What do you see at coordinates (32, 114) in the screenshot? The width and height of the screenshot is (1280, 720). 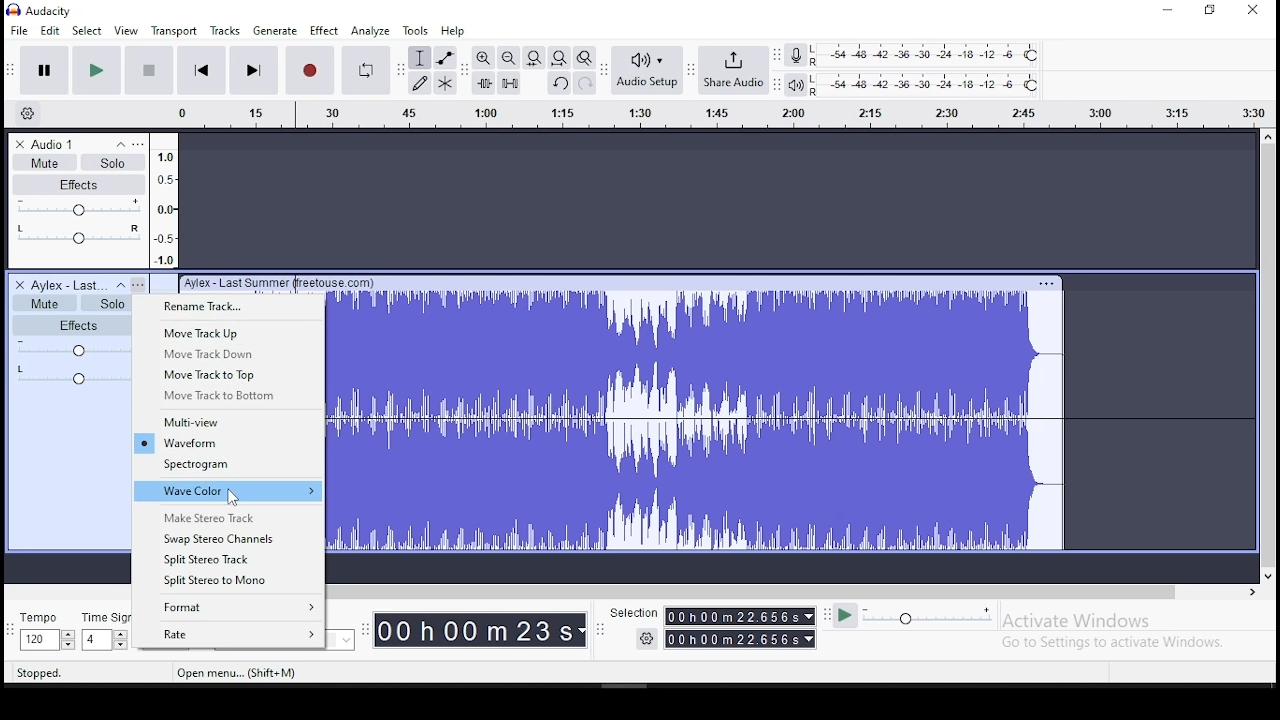 I see `timeline options` at bounding box center [32, 114].